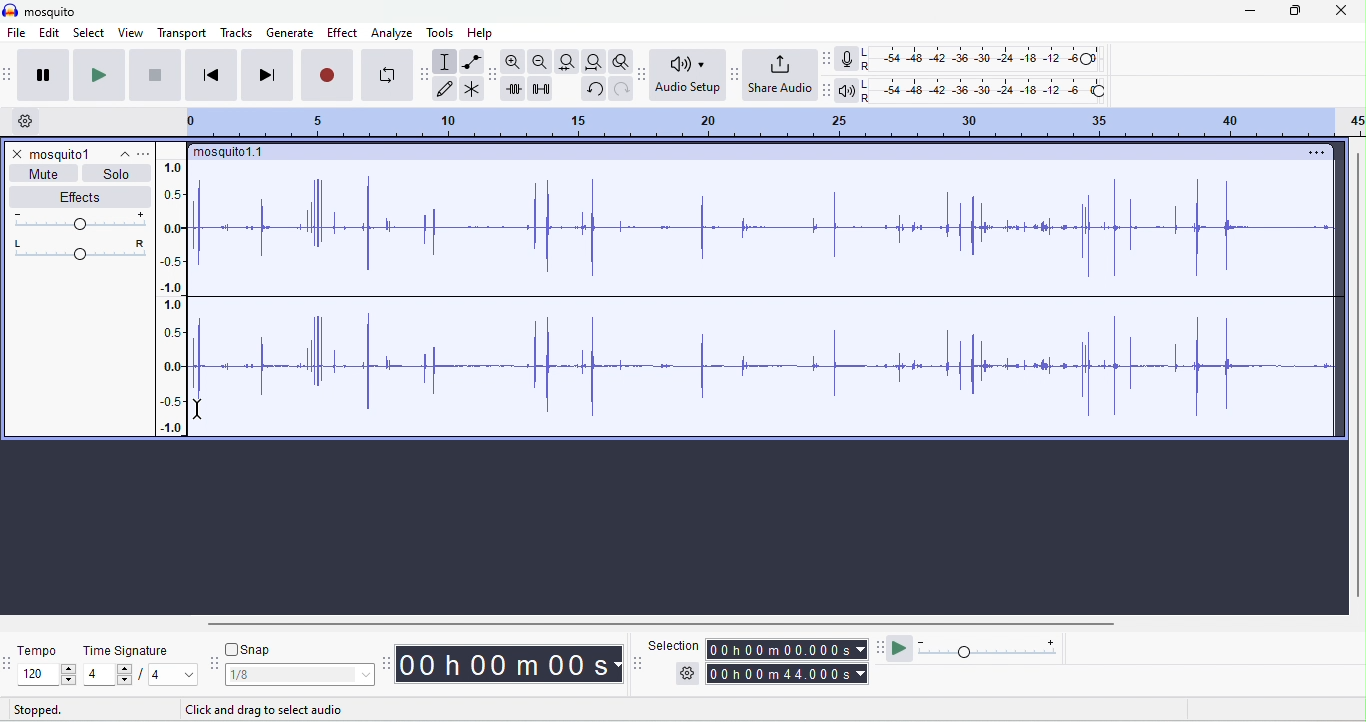 The width and height of the screenshot is (1366, 722). What do you see at coordinates (44, 173) in the screenshot?
I see `mute` at bounding box center [44, 173].